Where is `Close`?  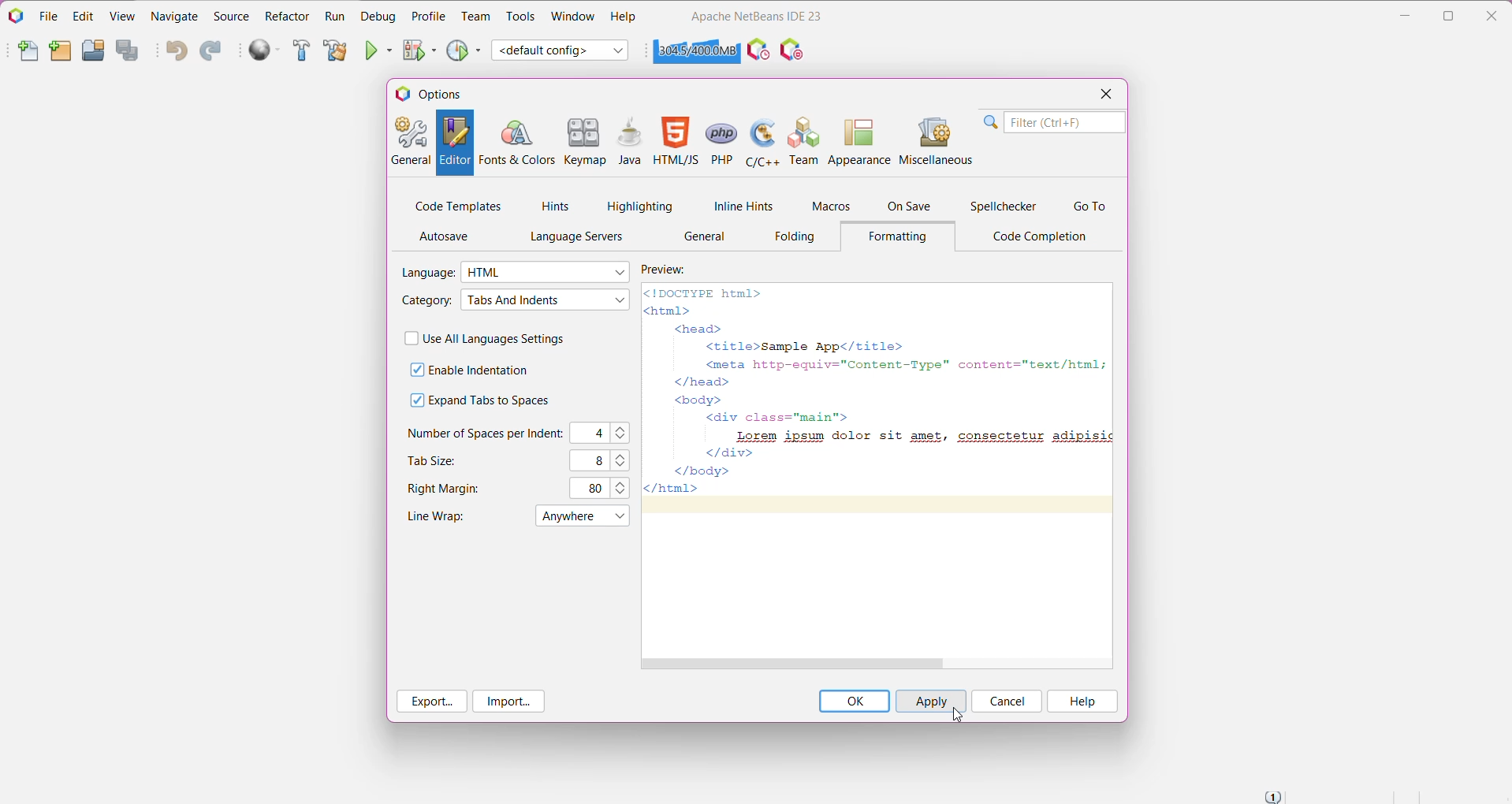 Close is located at coordinates (1104, 95).